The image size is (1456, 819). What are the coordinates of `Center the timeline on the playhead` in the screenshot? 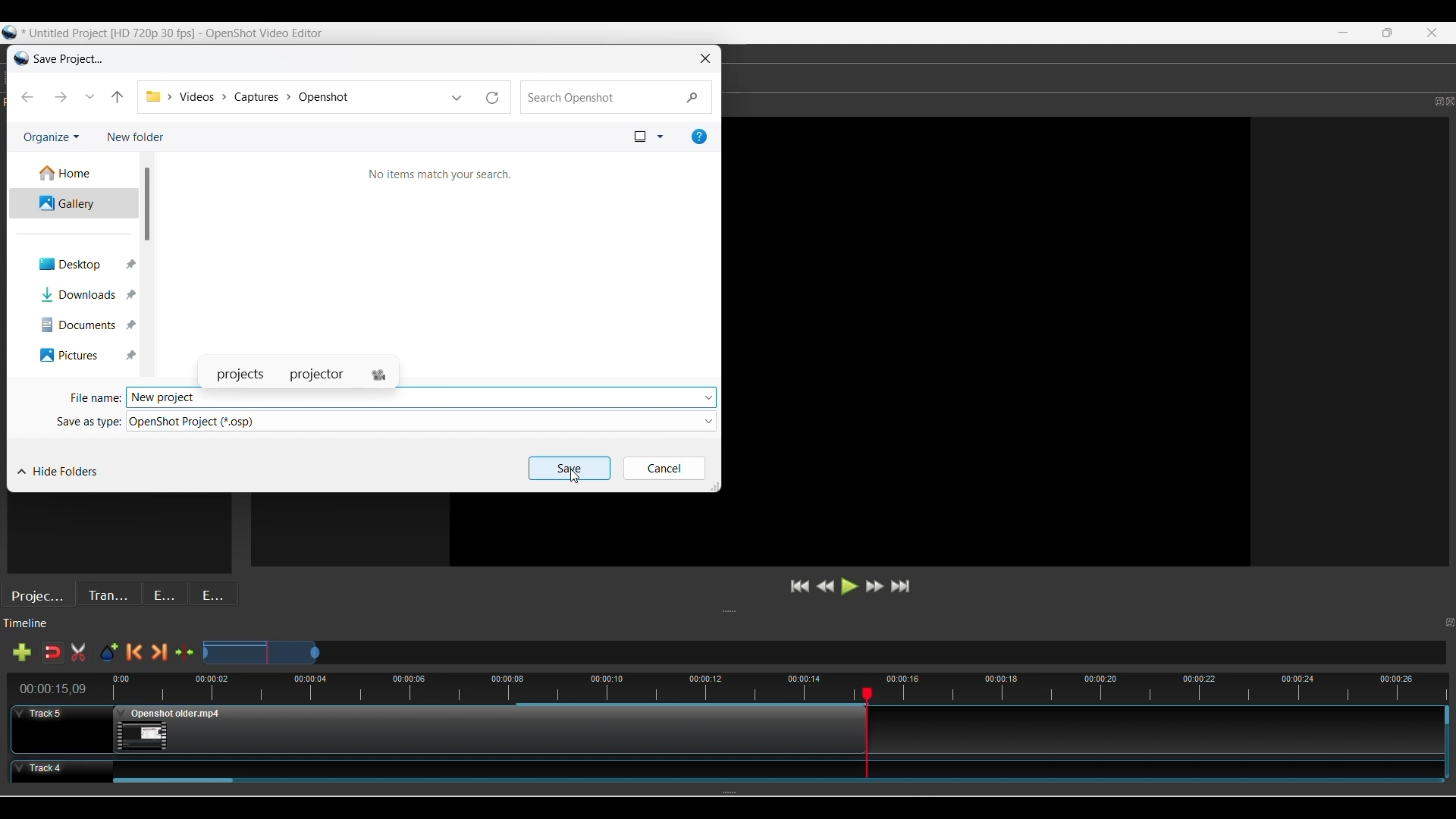 It's located at (184, 652).